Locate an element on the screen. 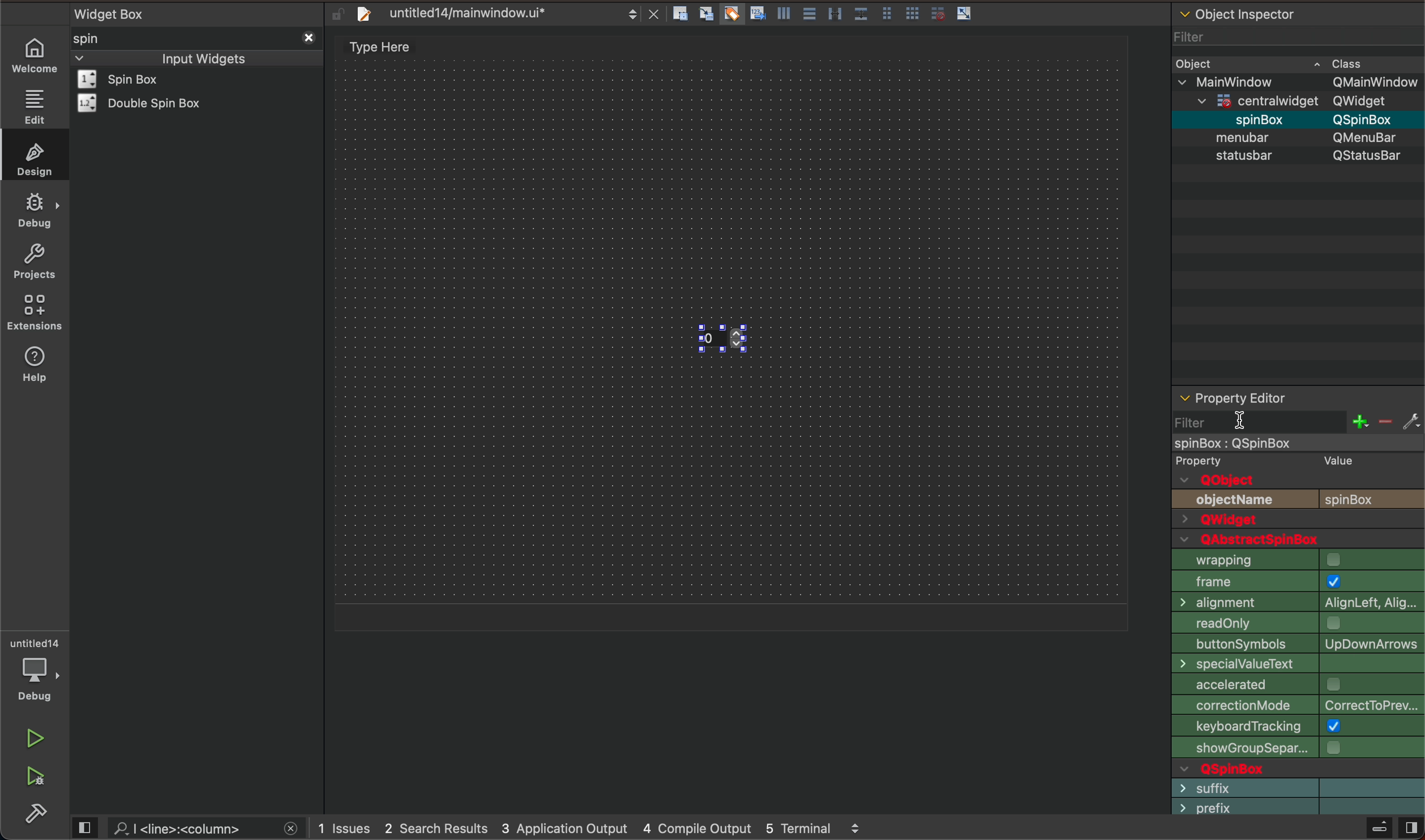 The image size is (1425, 840). spin box is located at coordinates (762, 342).